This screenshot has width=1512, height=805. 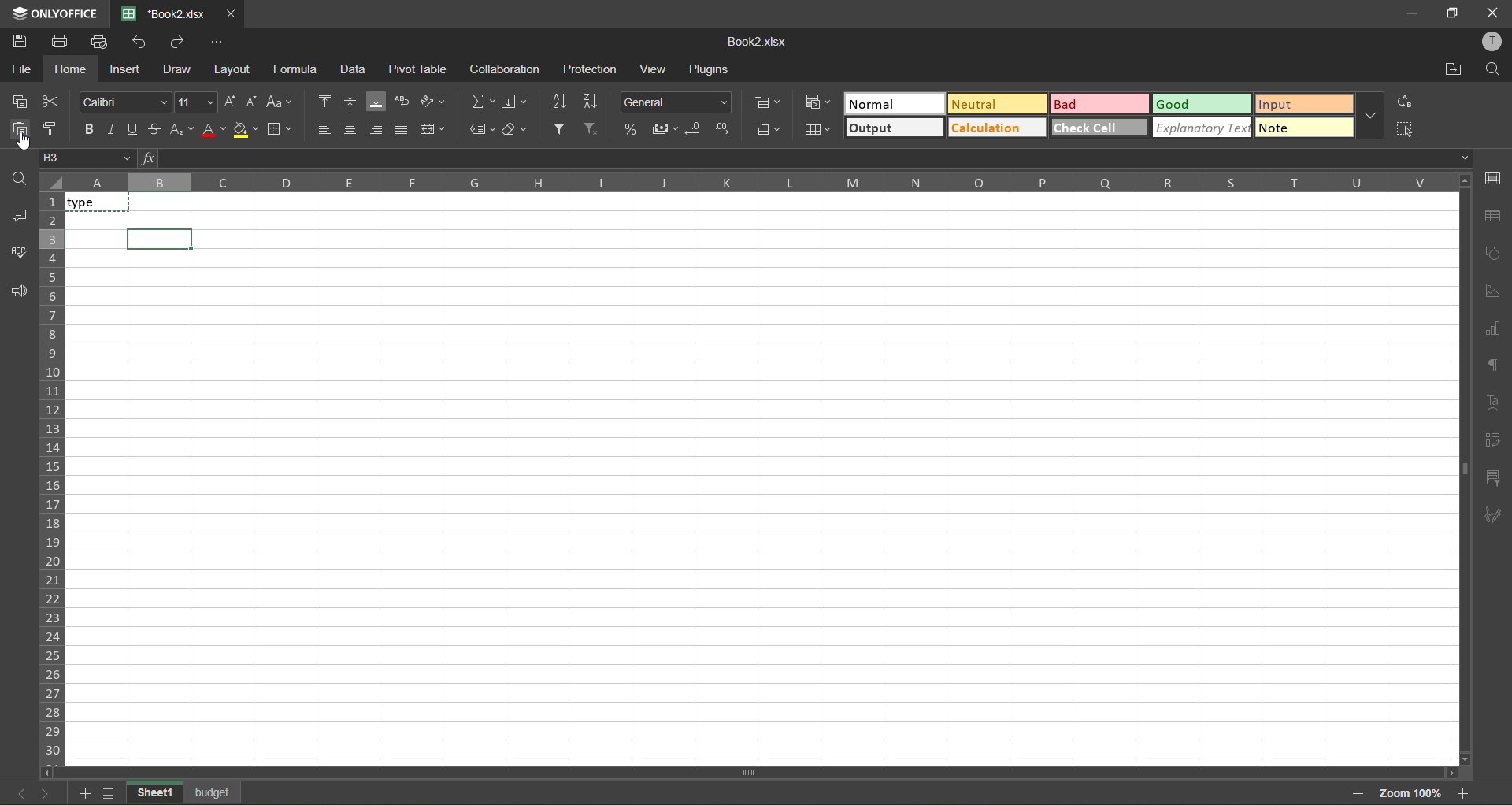 I want to click on zoom out, so click(x=1358, y=795).